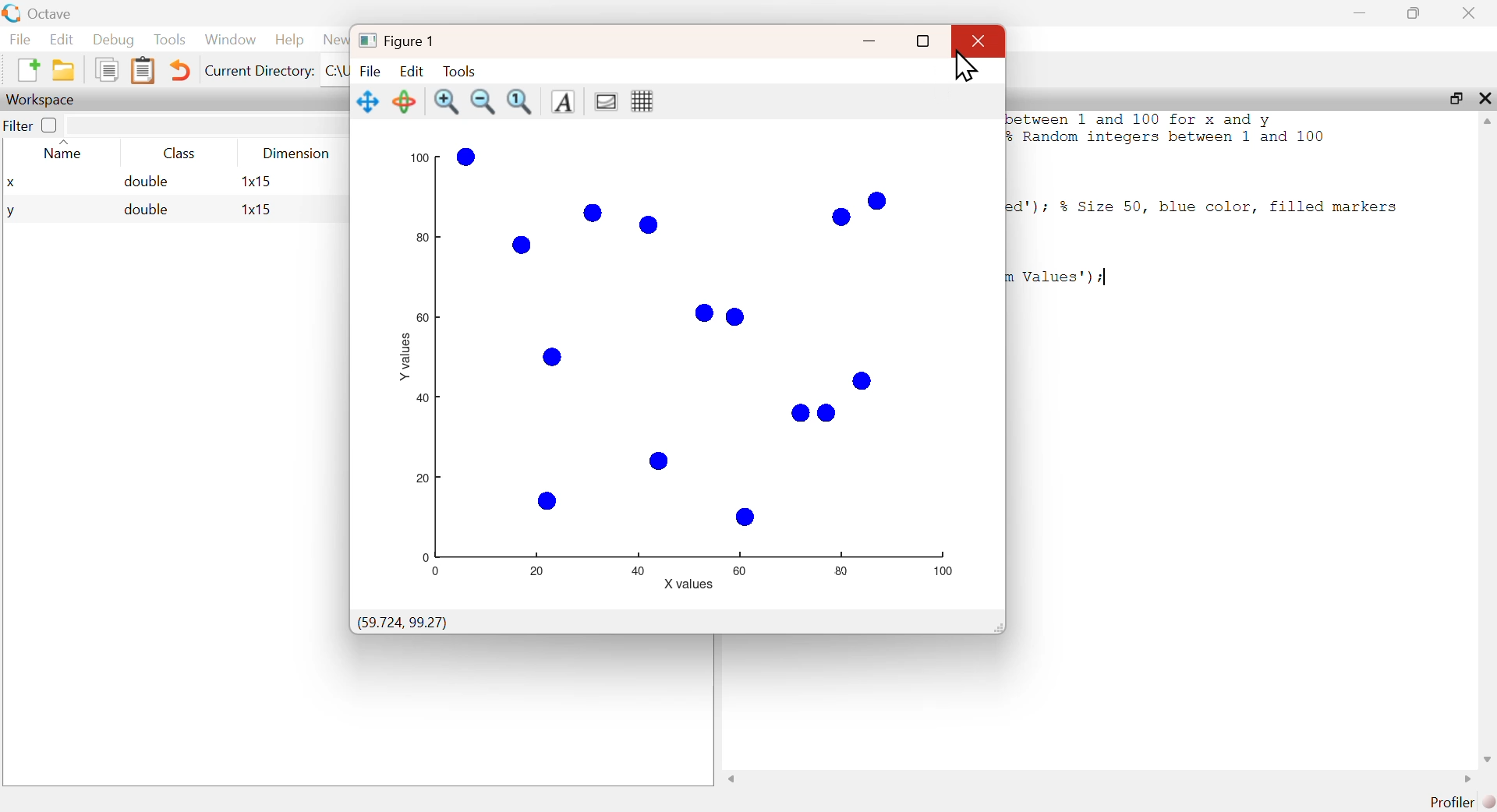 The width and height of the screenshot is (1497, 812). I want to click on x, so click(12, 184).